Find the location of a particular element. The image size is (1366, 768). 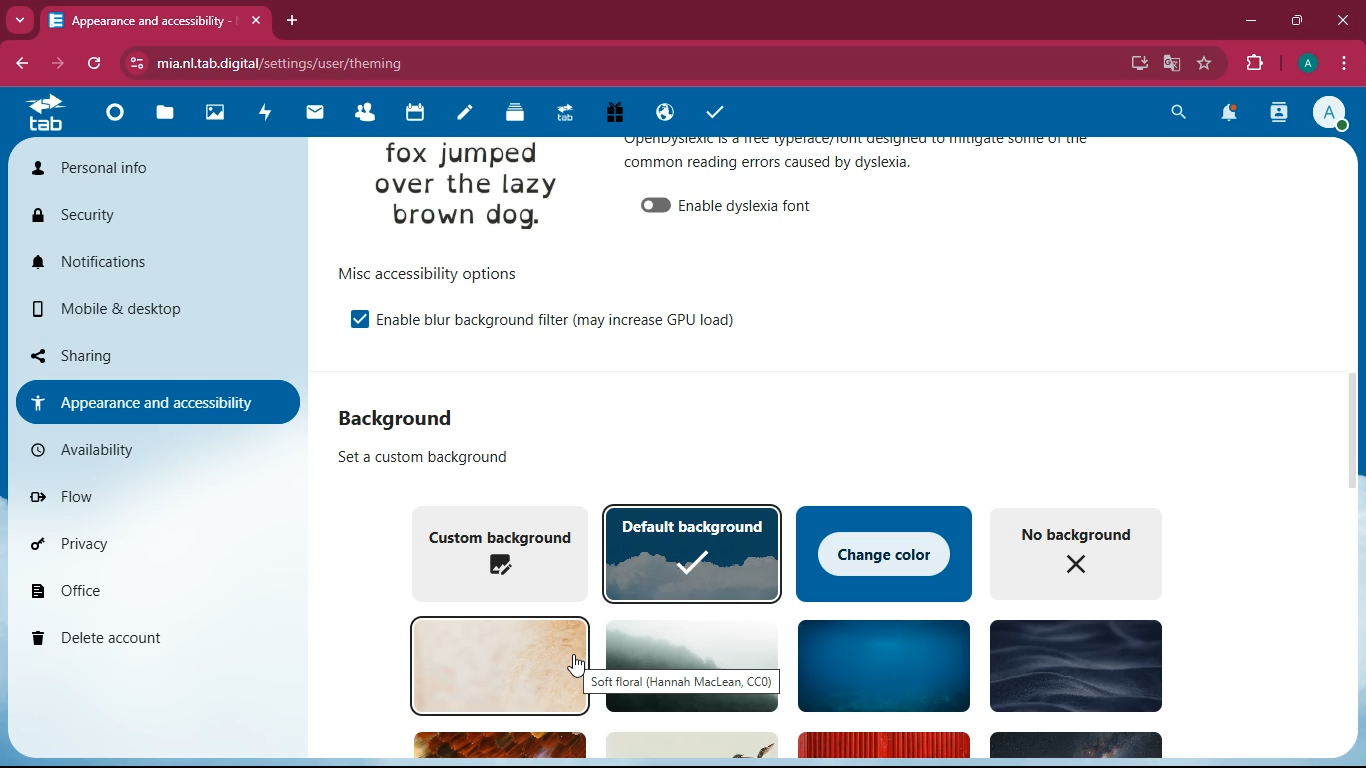

tasks is located at coordinates (713, 116).